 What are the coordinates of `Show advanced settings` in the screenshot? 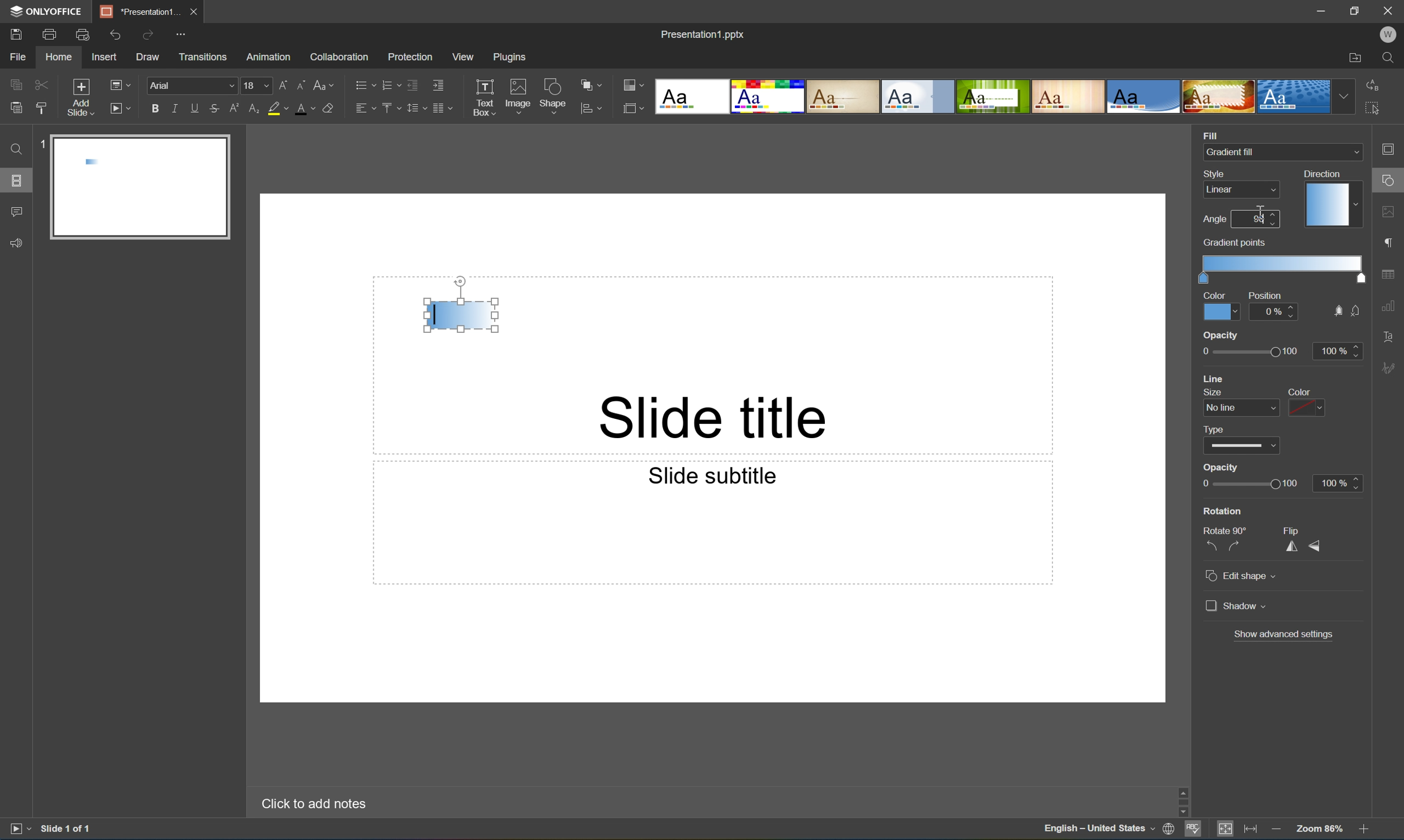 It's located at (1285, 633).